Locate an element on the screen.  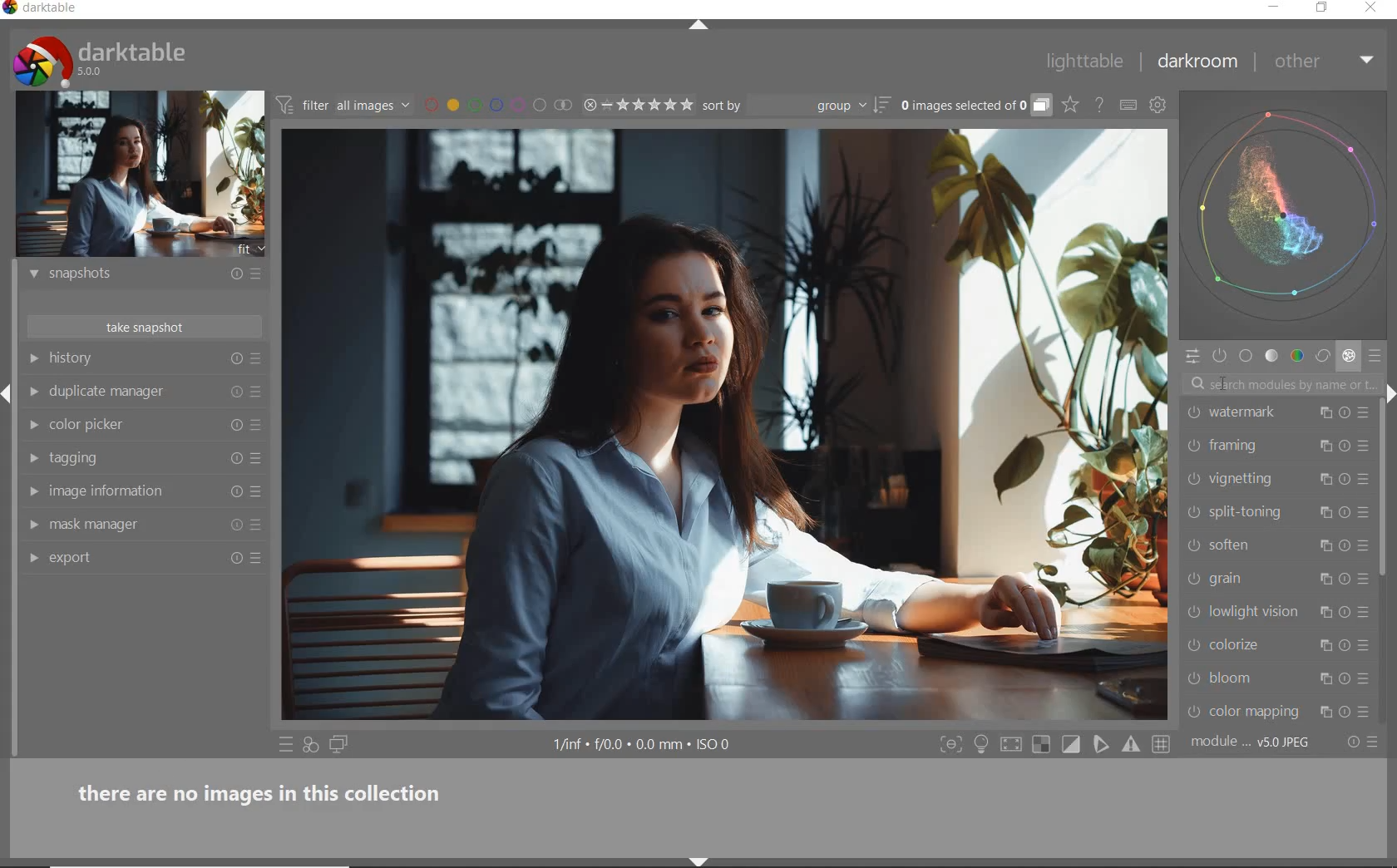
other is located at coordinates (1326, 61).